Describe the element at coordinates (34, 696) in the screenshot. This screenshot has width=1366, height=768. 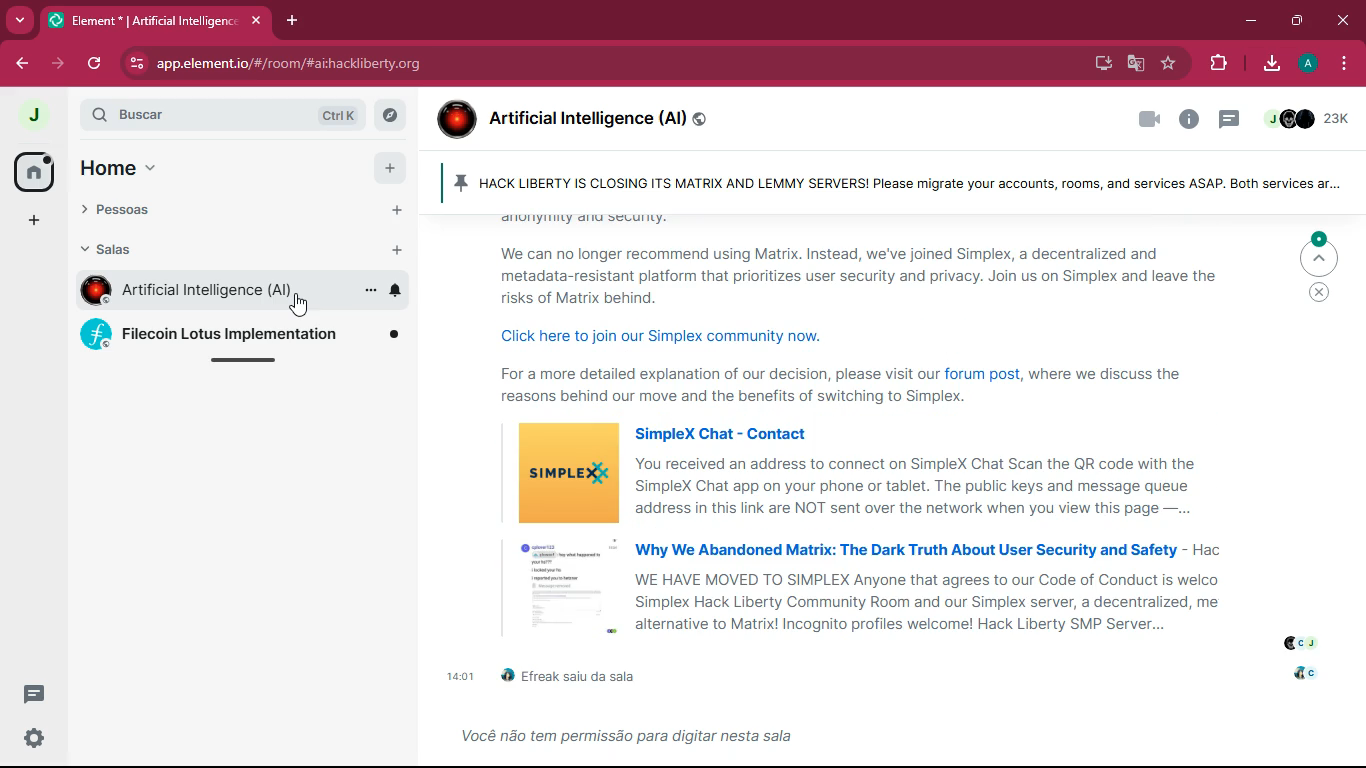
I see `new message` at that location.